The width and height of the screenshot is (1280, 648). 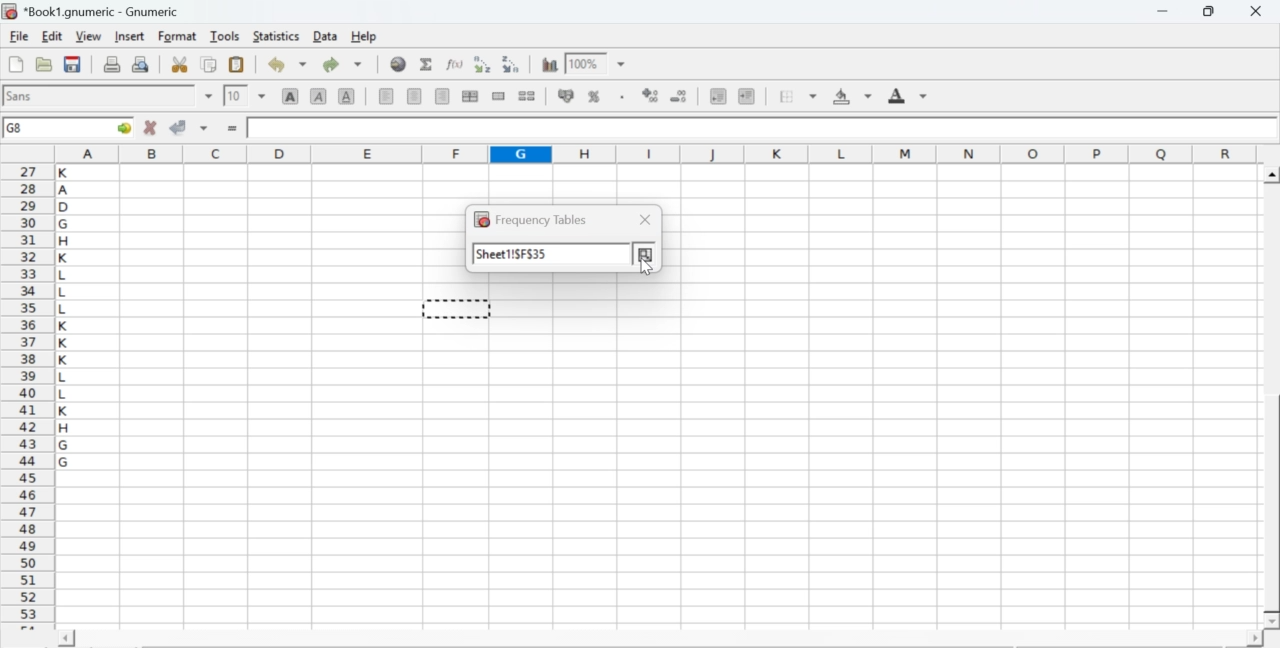 What do you see at coordinates (320, 95) in the screenshot?
I see `italic` at bounding box center [320, 95].